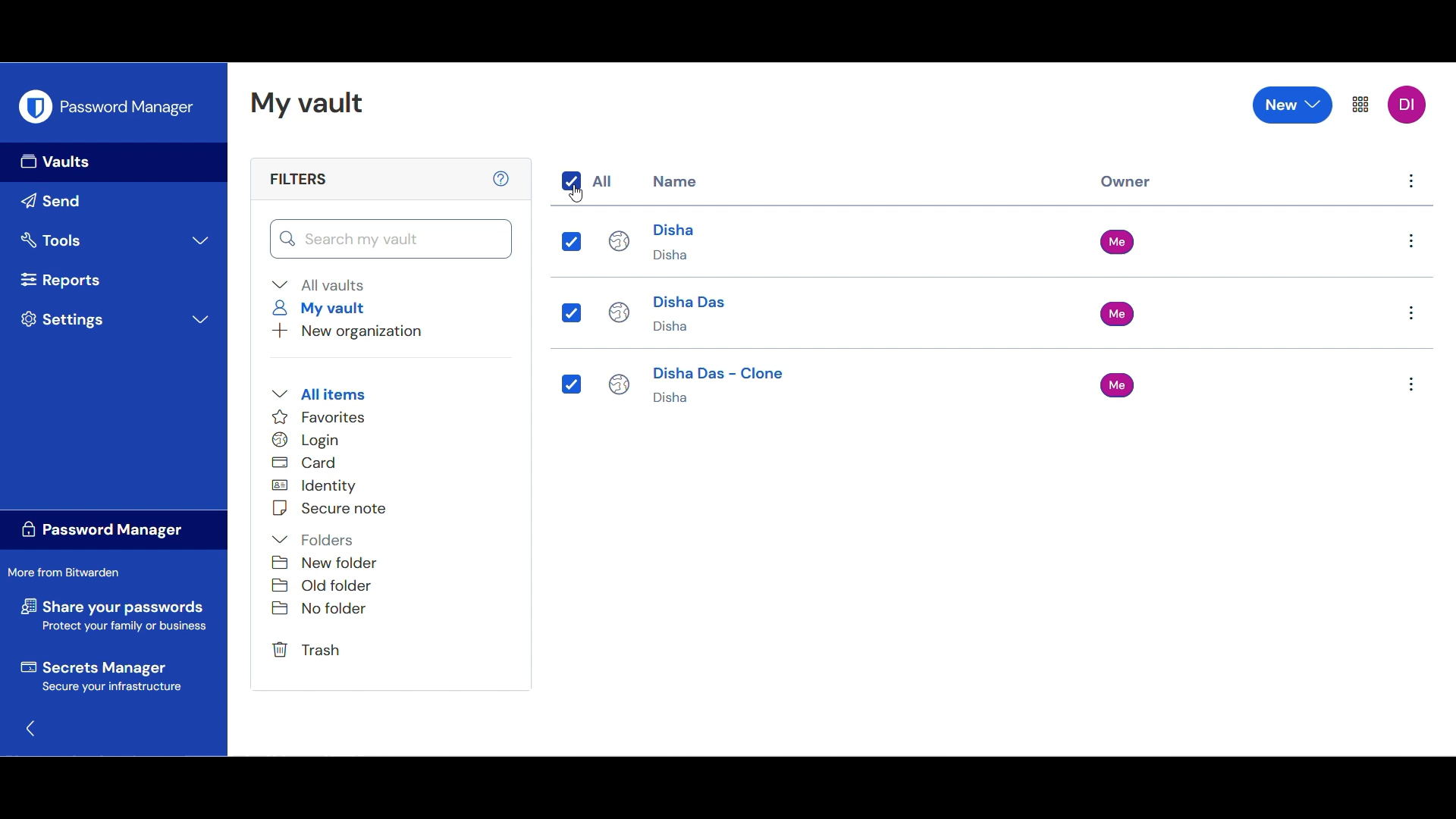 The height and width of the screenshot is (819, 1456). I want to click on Password manager, so click(127, 105).